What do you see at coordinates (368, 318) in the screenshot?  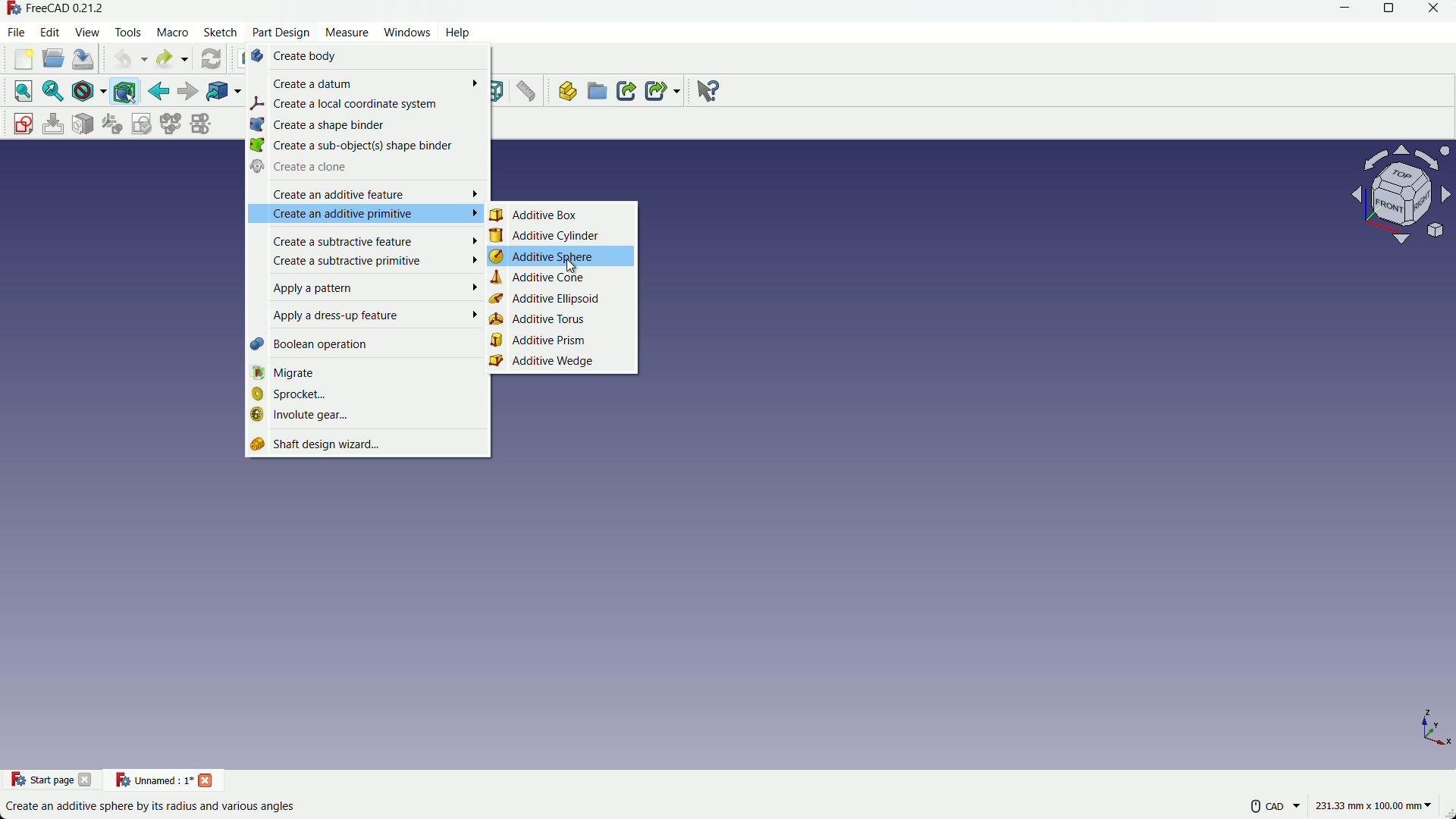 I see `apply a dress up feature` at bounding box center [368, 318].